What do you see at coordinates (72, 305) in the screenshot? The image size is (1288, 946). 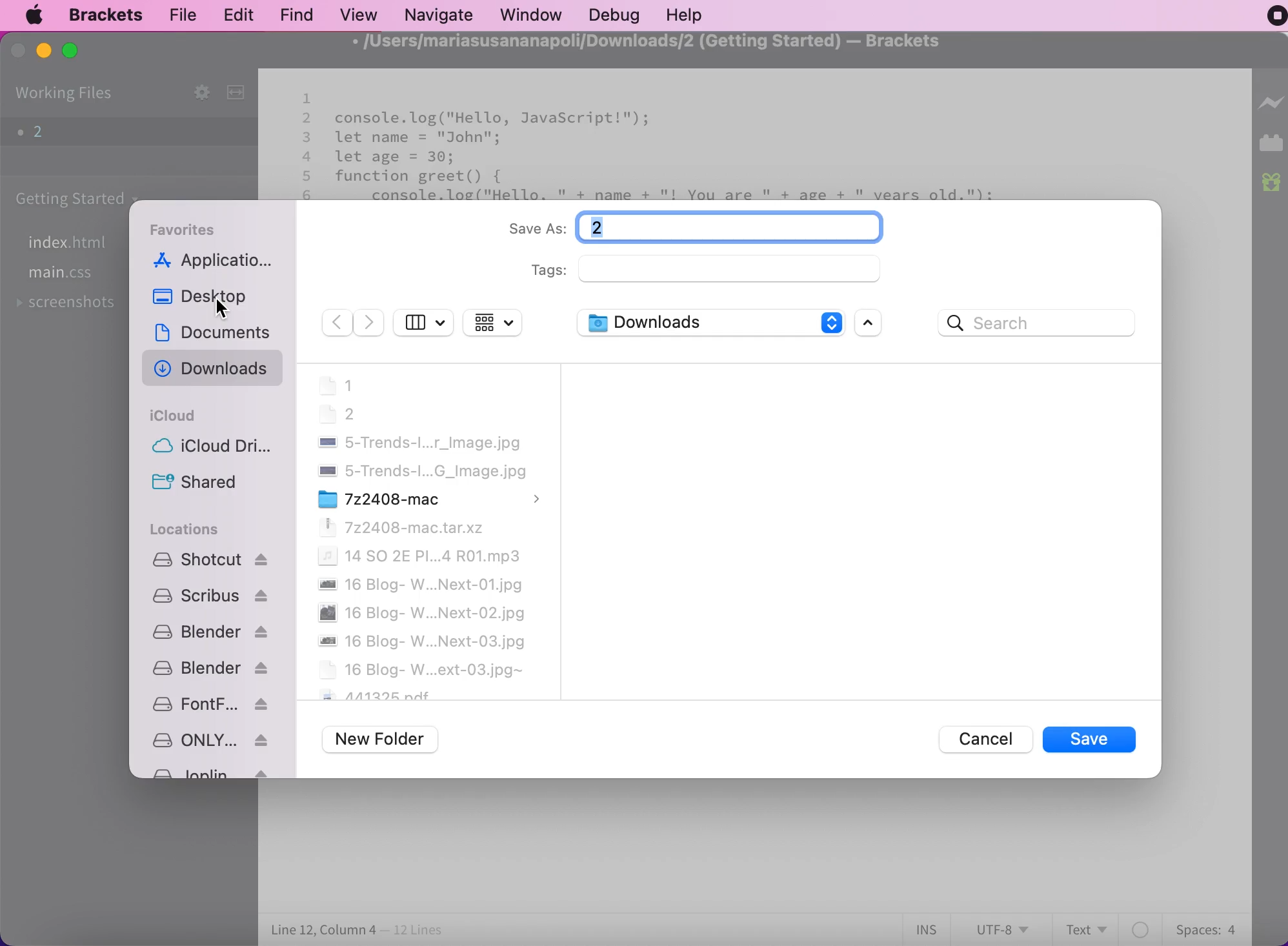 I see `screenshots` at bounding box center [72, 305].